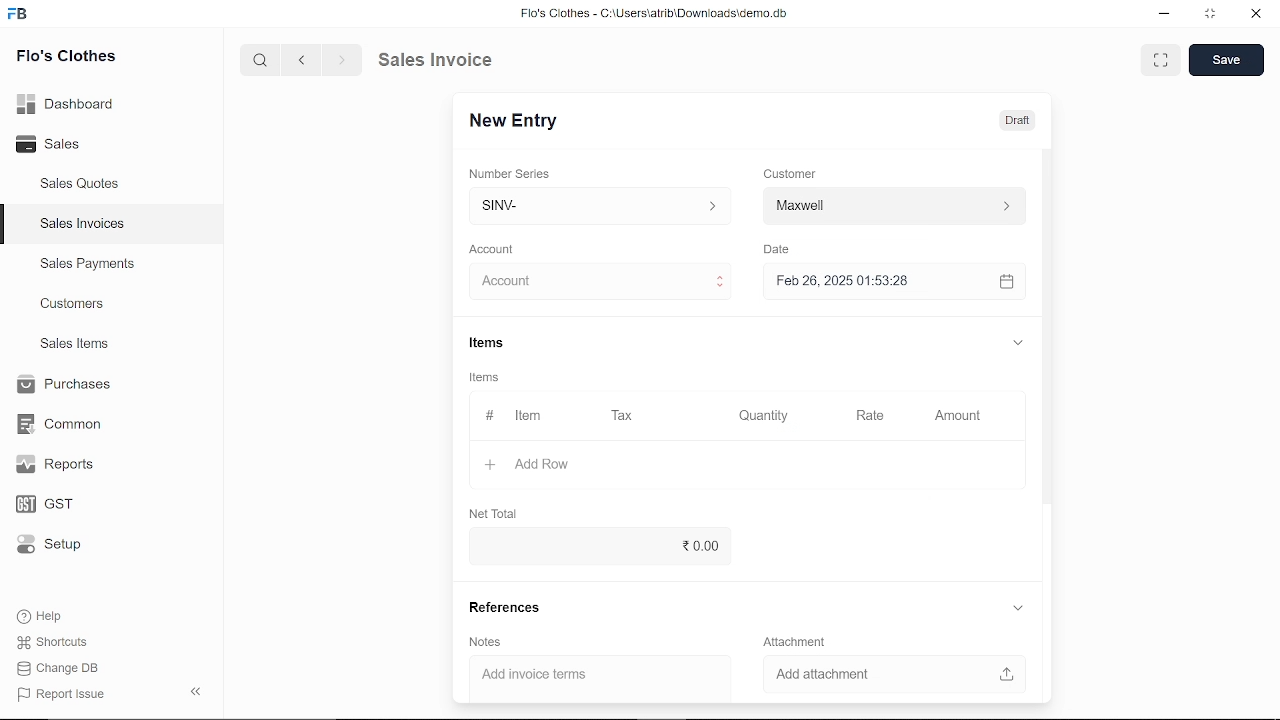 The image size is (1280, 720). I want to click on Notes, so click(483, 642).